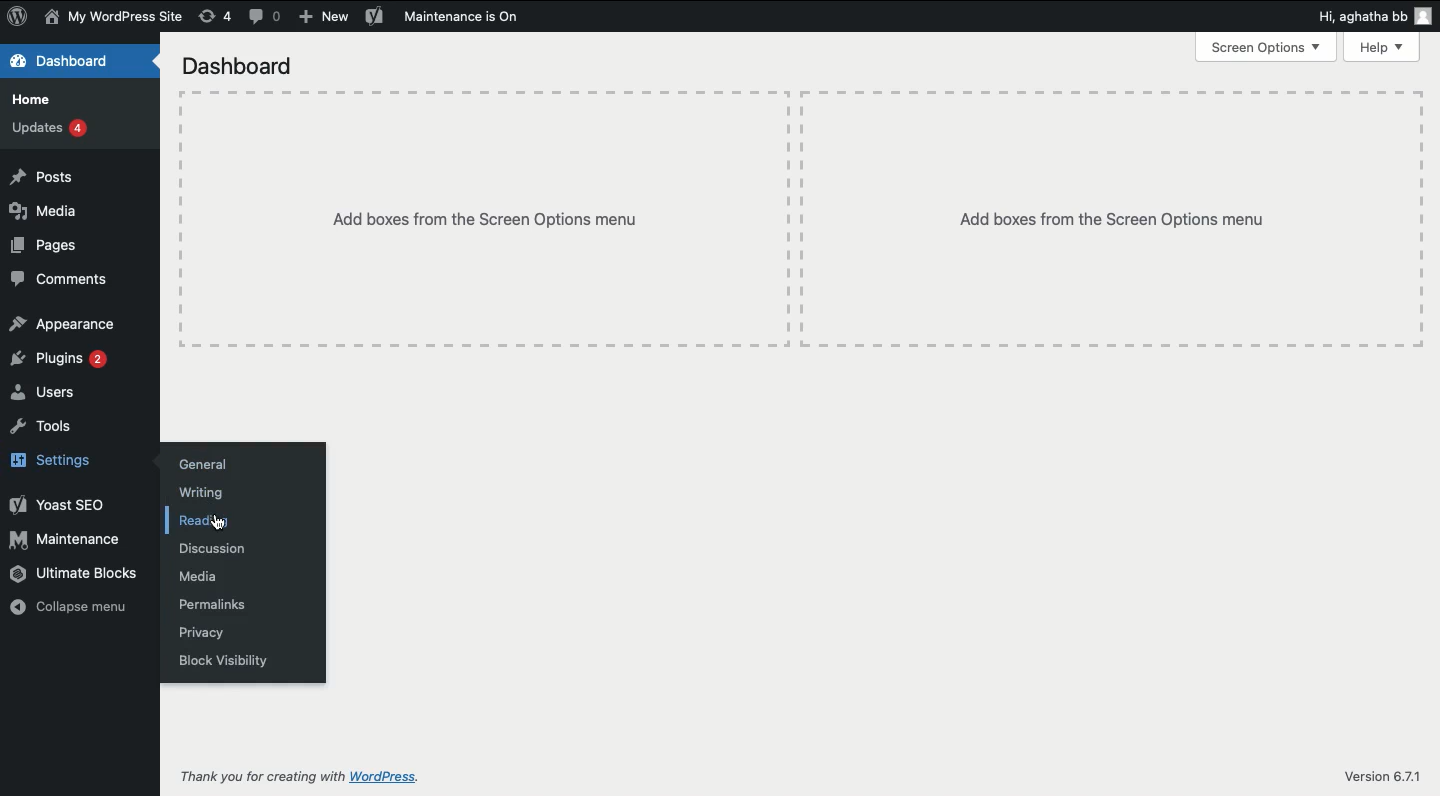  Describe the element at coordinates (212, 603) in the screenshot. I see `permalinks` at that location.